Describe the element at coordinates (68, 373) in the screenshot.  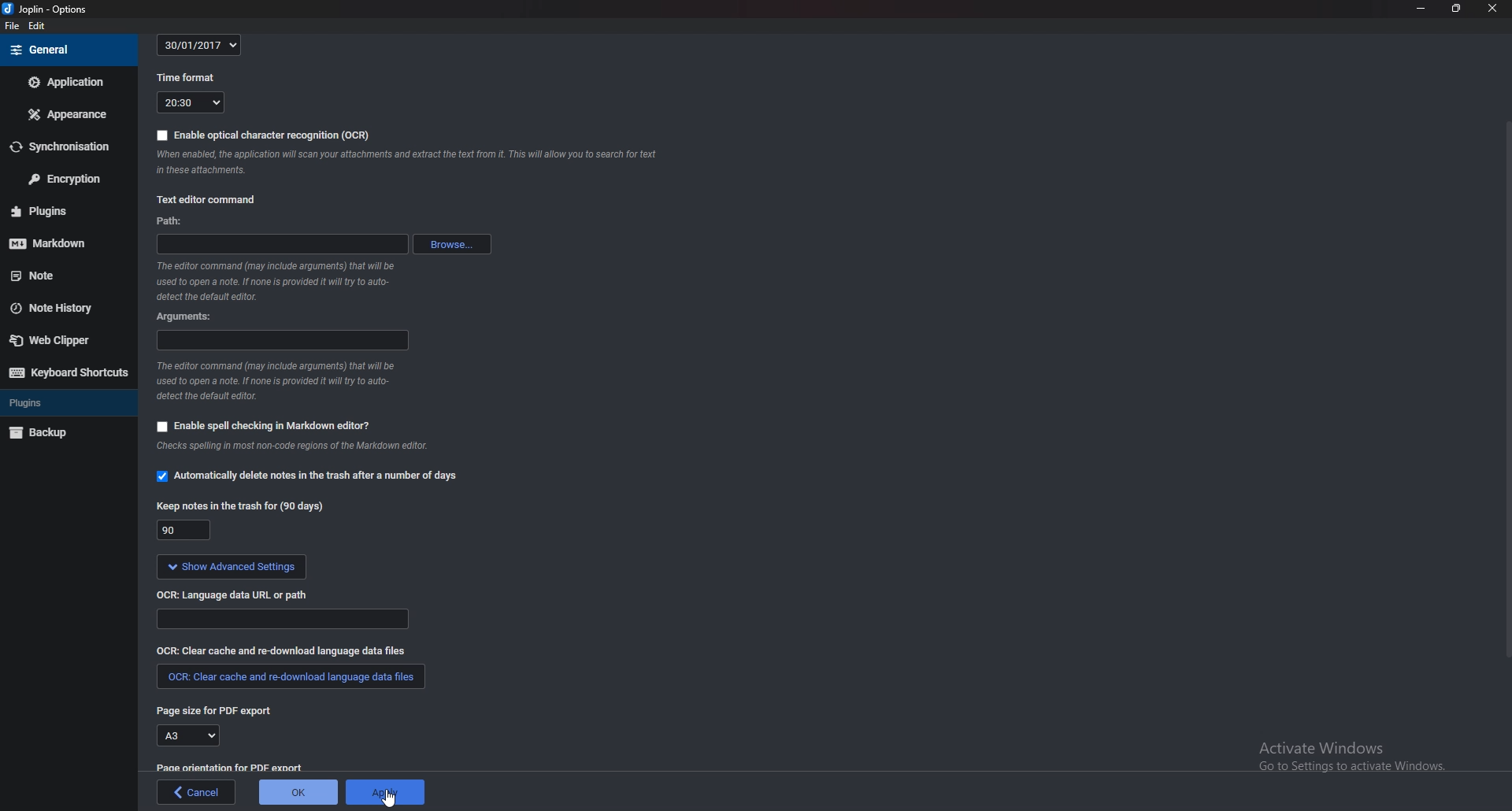
I see `Keyboard shortcuts` at that location.